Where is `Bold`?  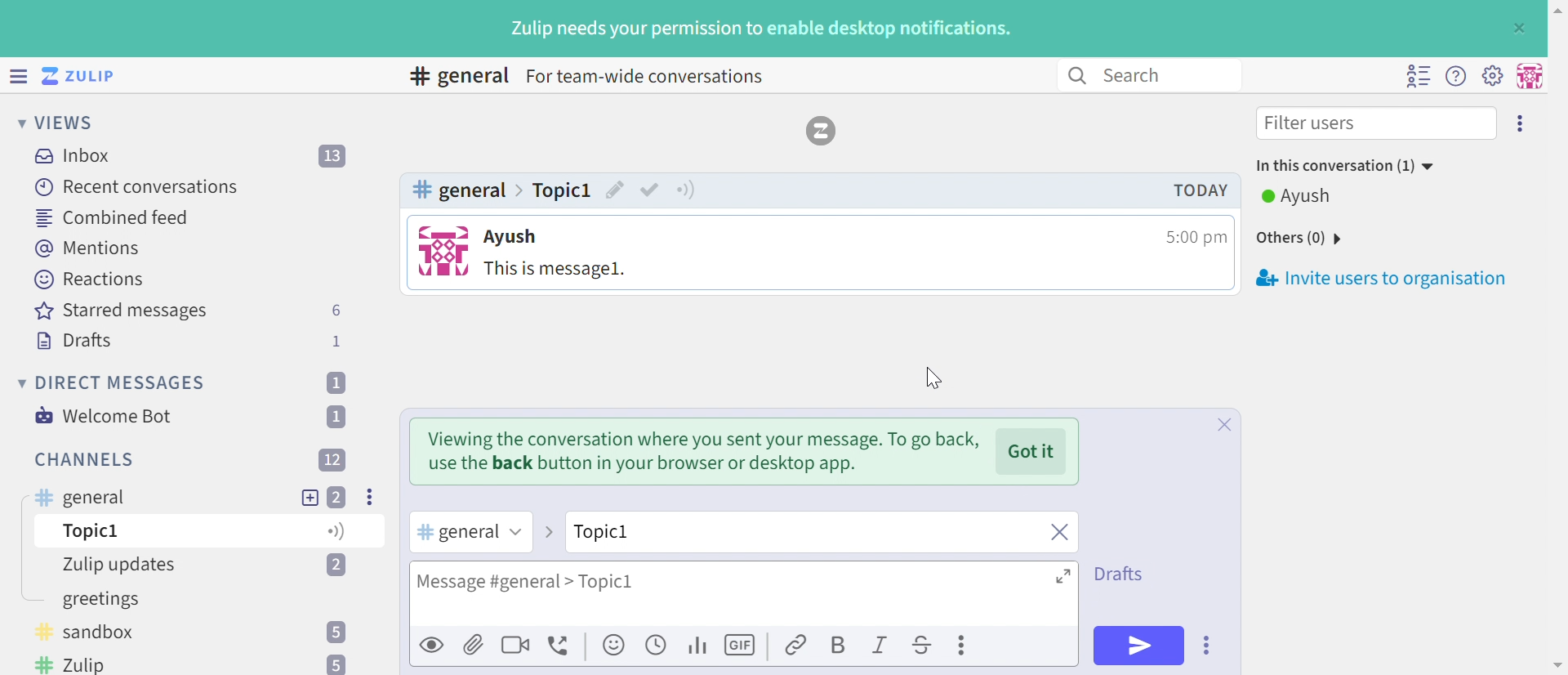
Bold is located at coordinates (837, 646).